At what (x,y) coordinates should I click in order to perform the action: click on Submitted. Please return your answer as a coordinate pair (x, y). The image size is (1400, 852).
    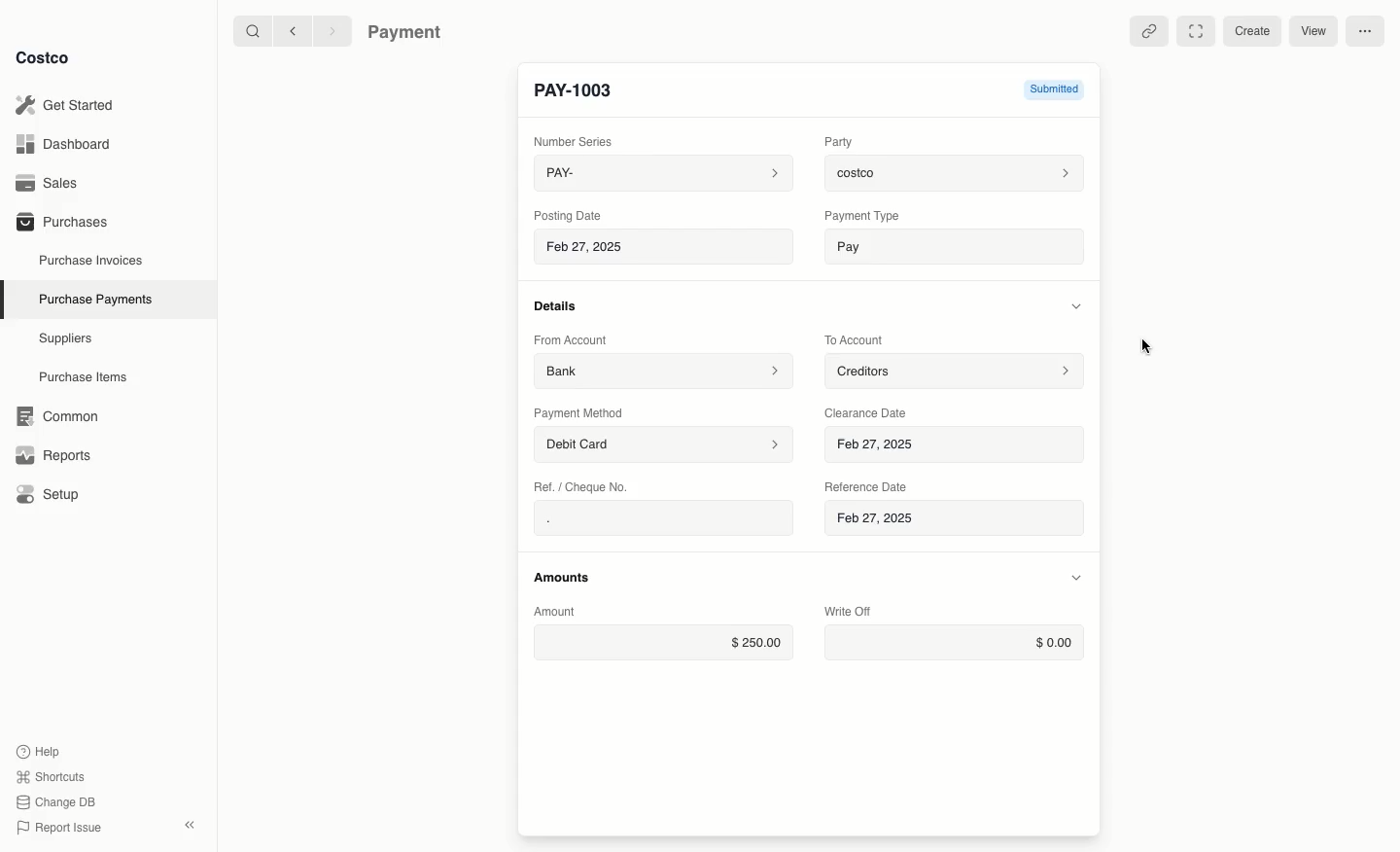
    Looking at the image, I should click on (1043, 89).